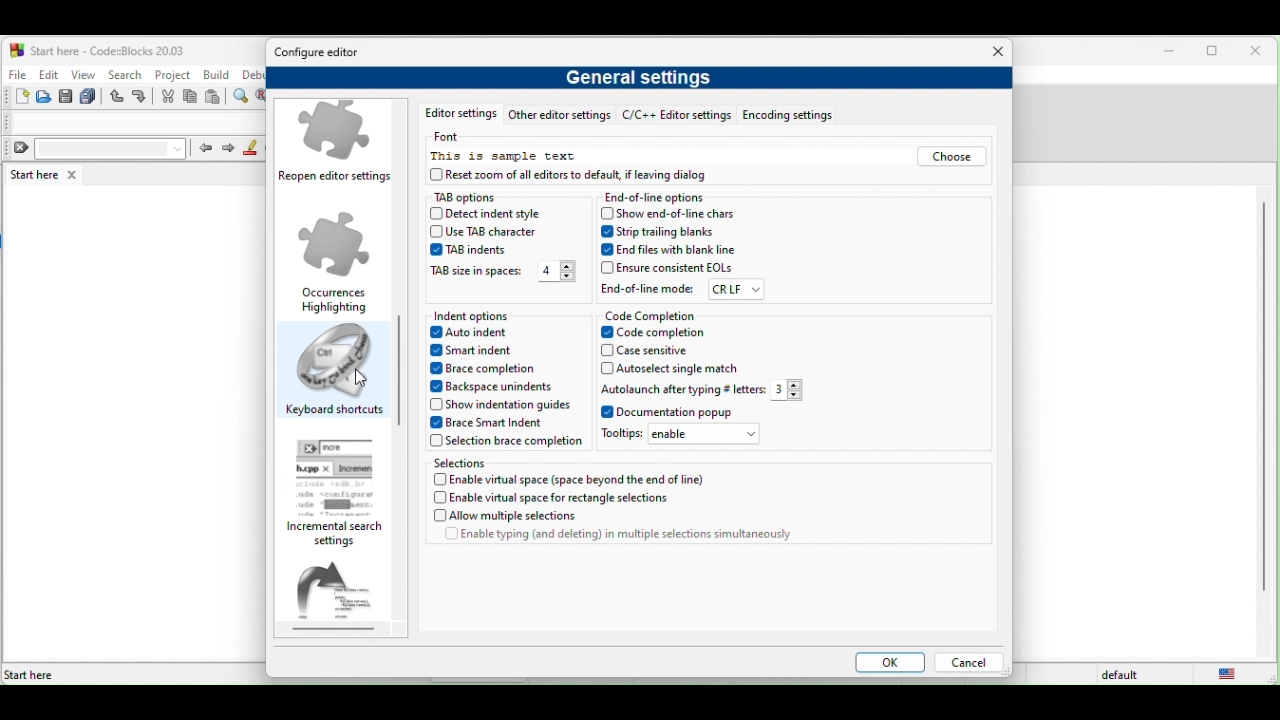  What do you see at coordinates (618, 538) in the screenshot?
I see `enable typing (and deleting) in multiple selections simultaneously` at bounding box center [618, 538].